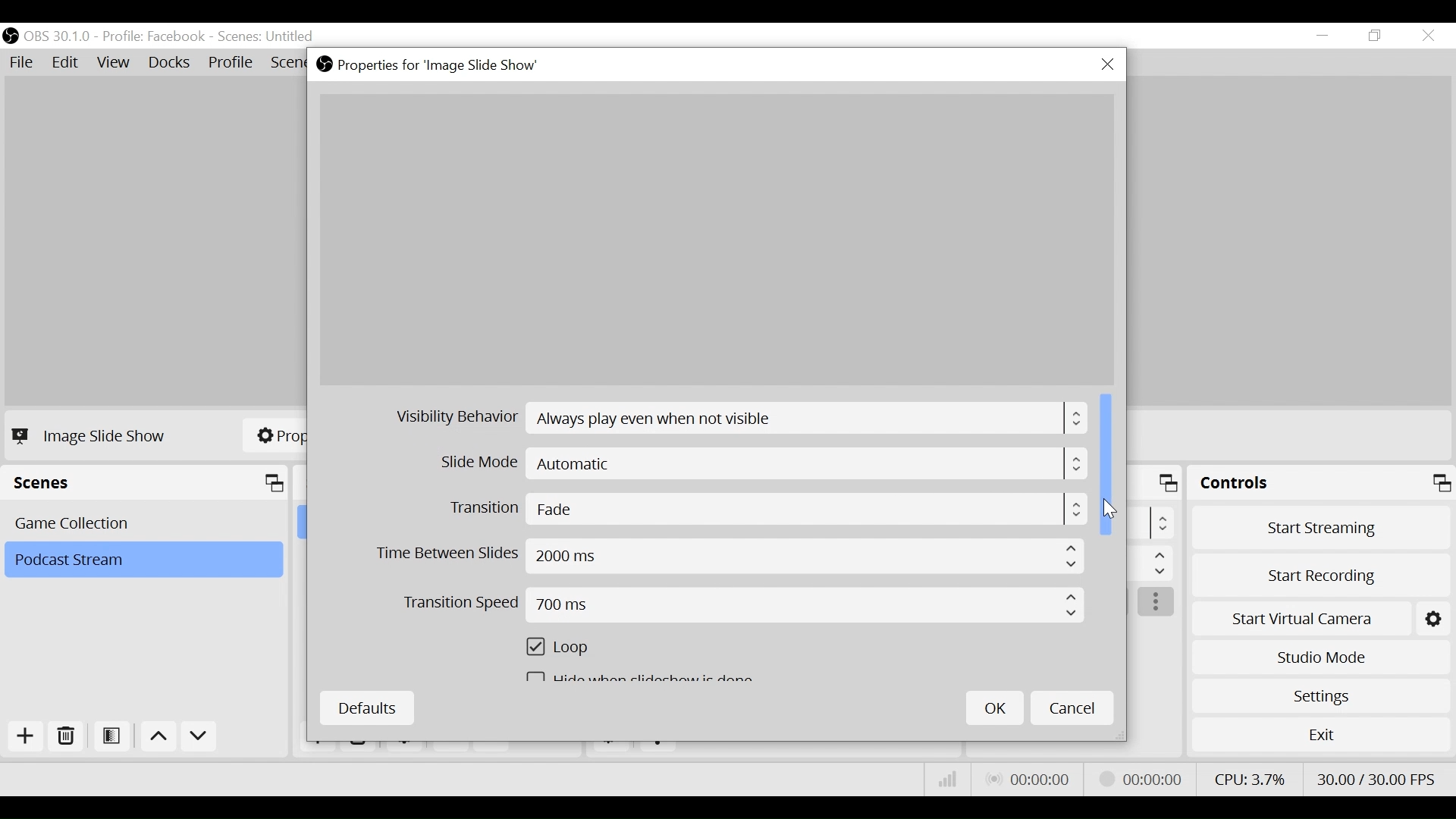 This screenshot has width=1456, height=819. I want to click on Exit, so click(1321, 738).